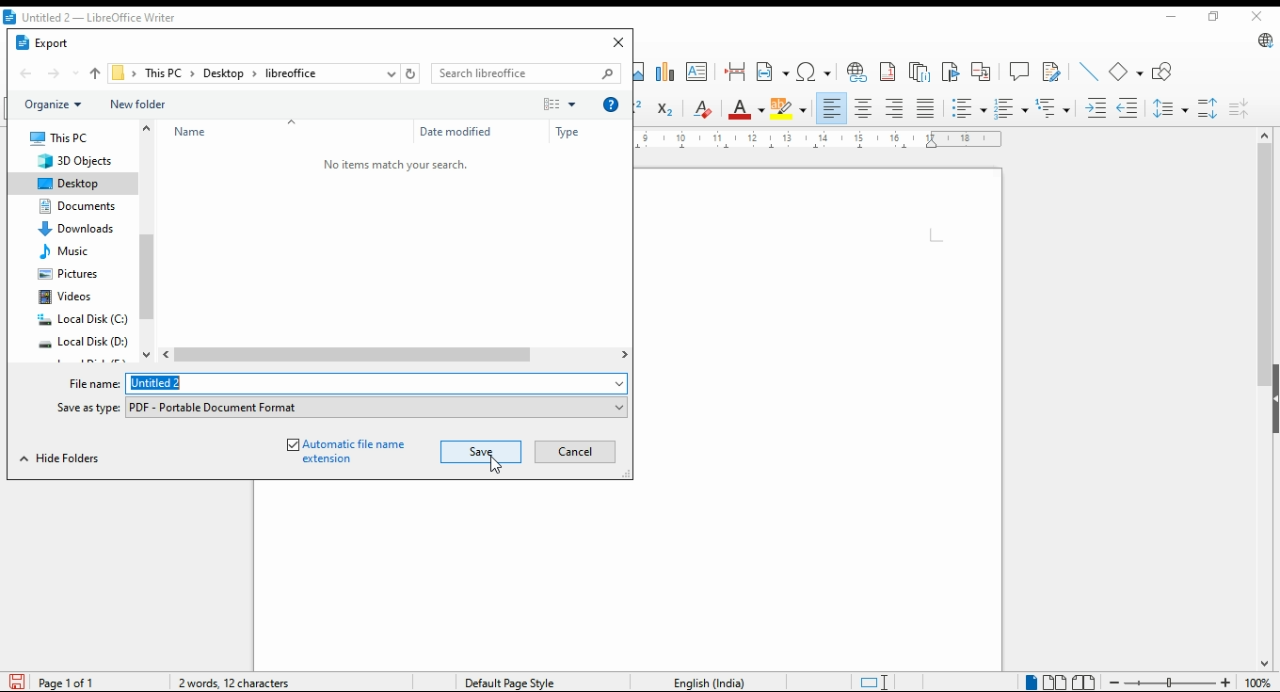 This screenshot has height=692, width=1280. I want to click on get help, so click(610, 106).